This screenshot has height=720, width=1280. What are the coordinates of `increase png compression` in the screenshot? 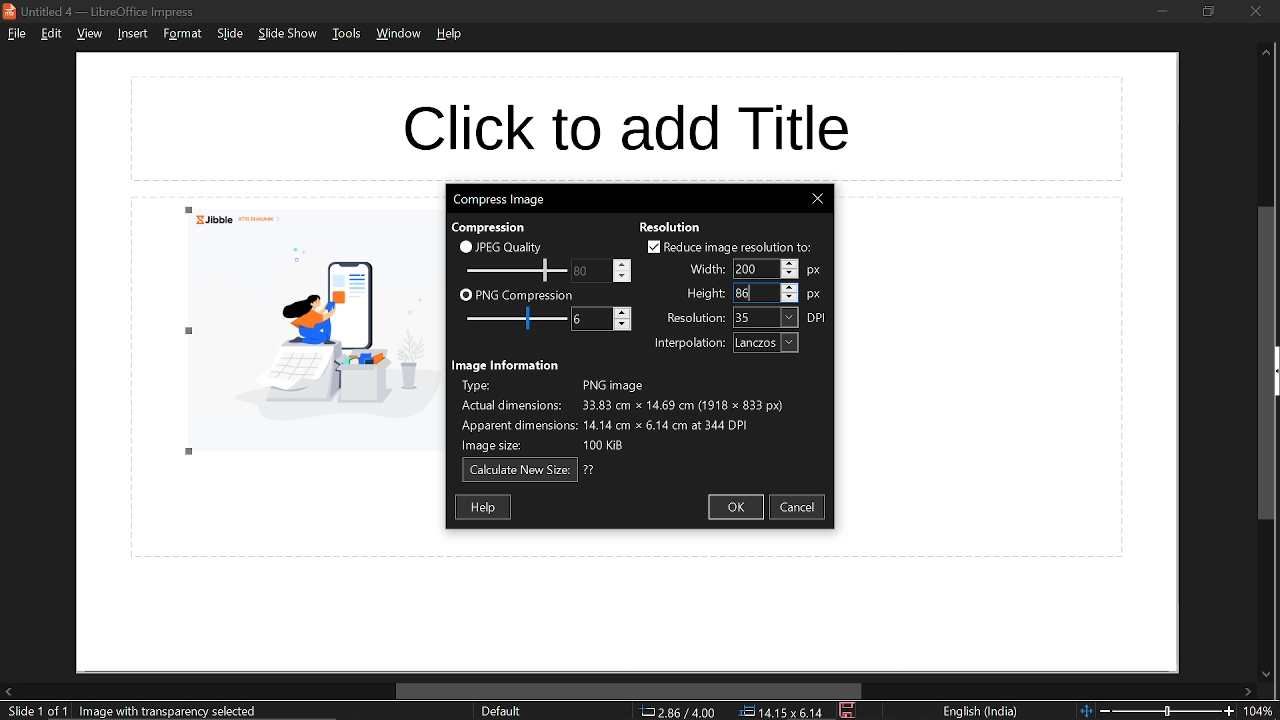 It's located at (623, 312).